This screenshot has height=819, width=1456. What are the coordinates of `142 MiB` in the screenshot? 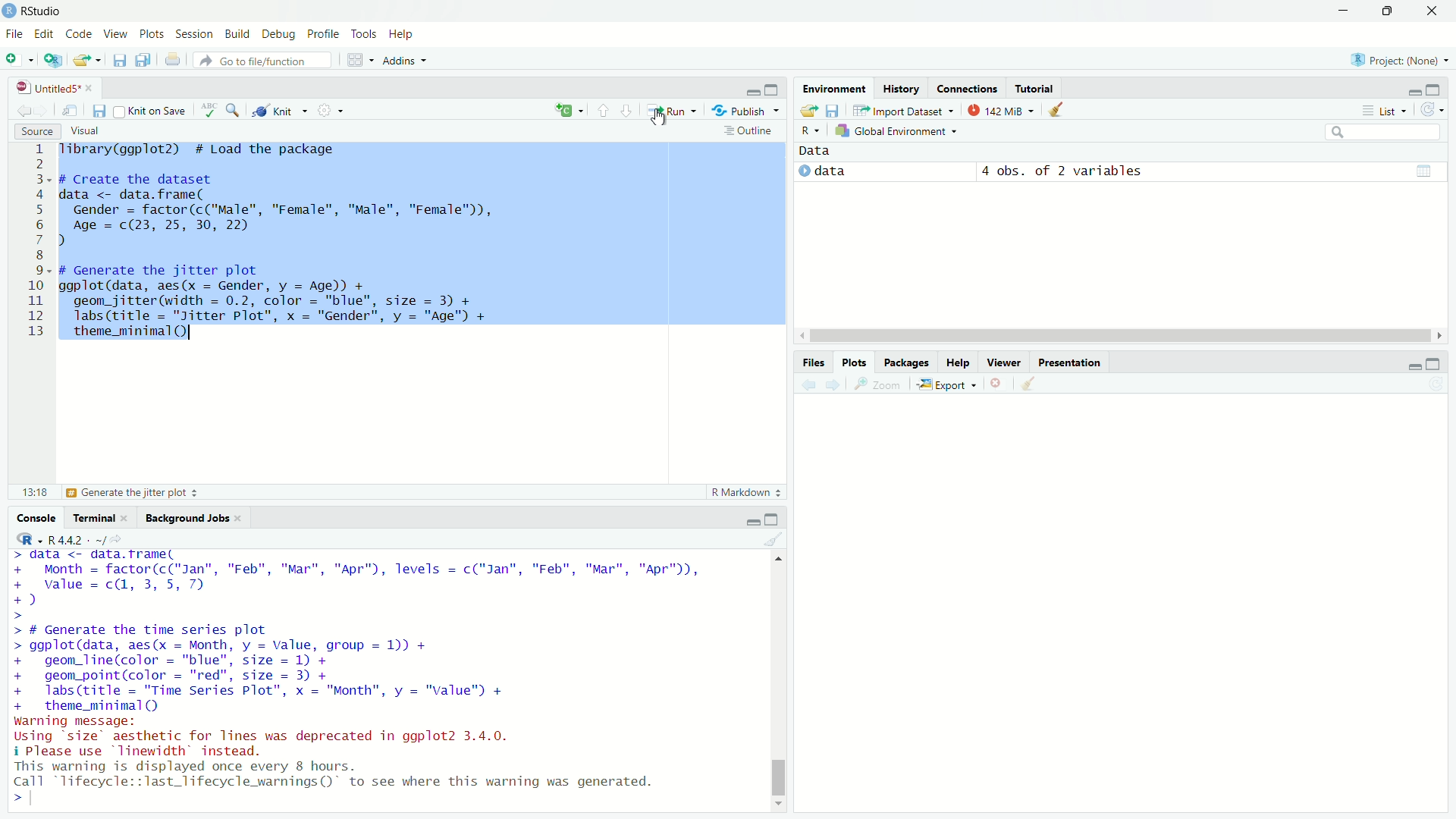 It's located at (1004, 111).